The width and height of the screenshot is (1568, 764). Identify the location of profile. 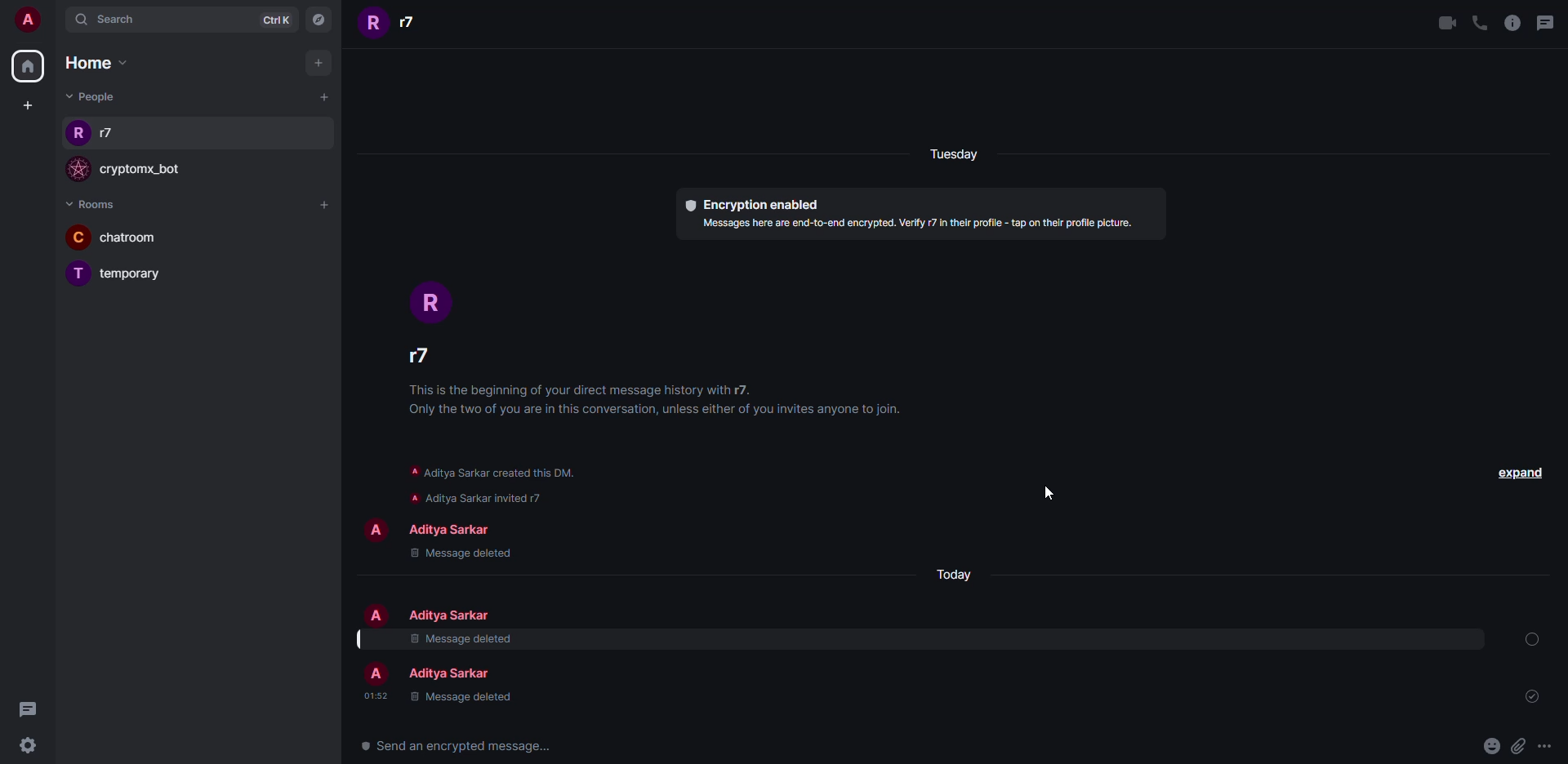
(78, 135).